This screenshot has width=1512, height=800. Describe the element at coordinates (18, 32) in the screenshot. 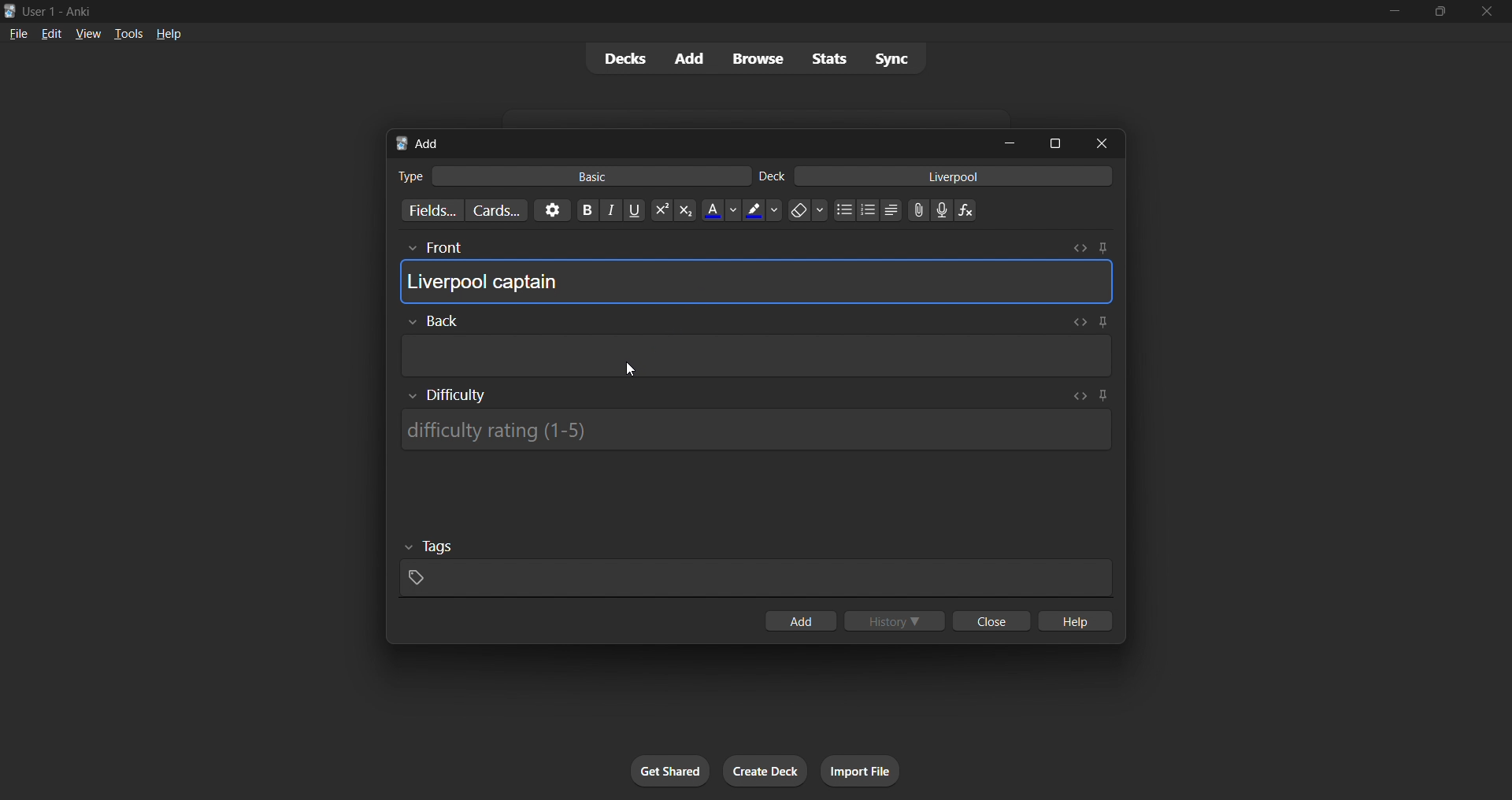

I see `file` at that location.